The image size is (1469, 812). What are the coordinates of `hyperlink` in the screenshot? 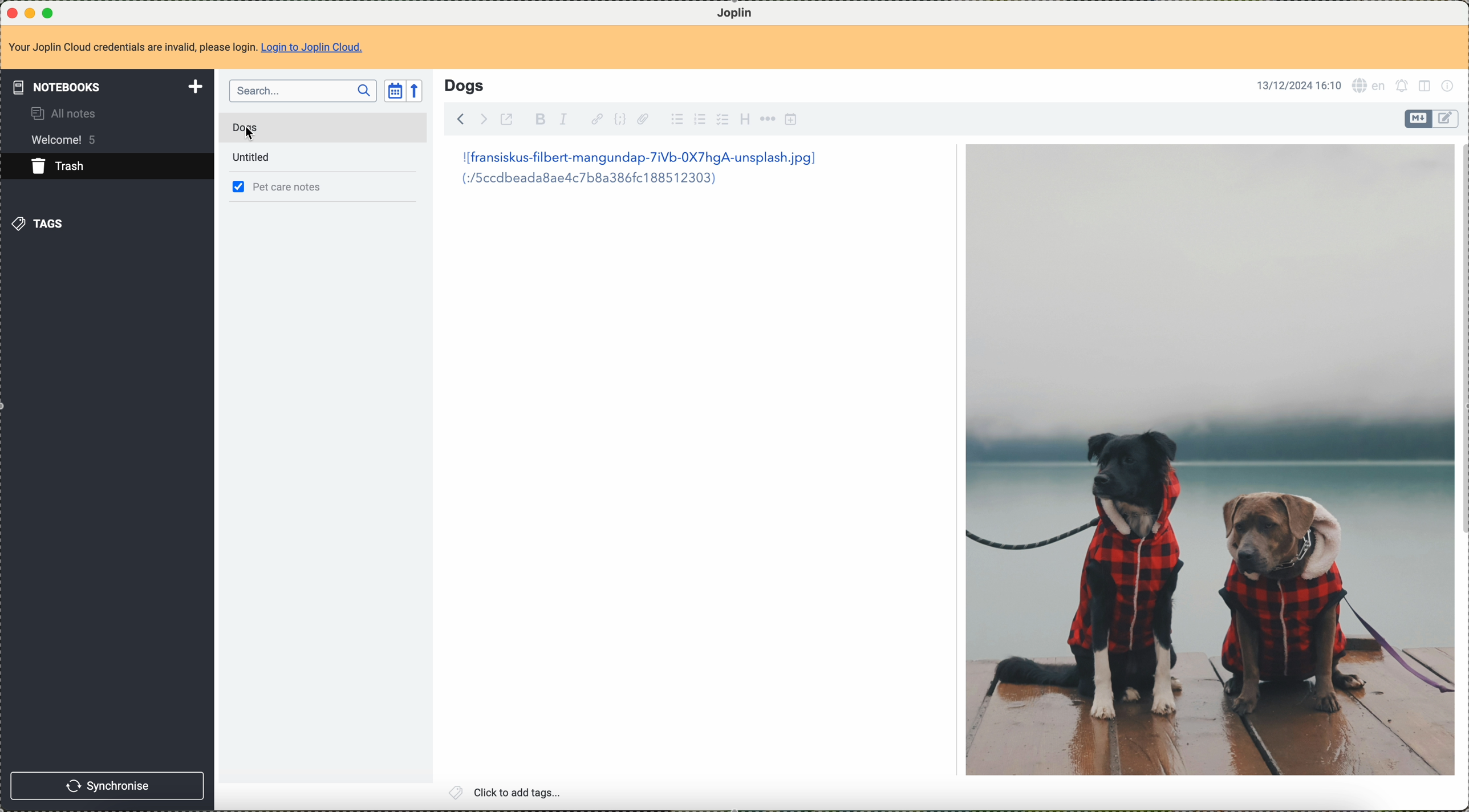 It's located at (594, 119).